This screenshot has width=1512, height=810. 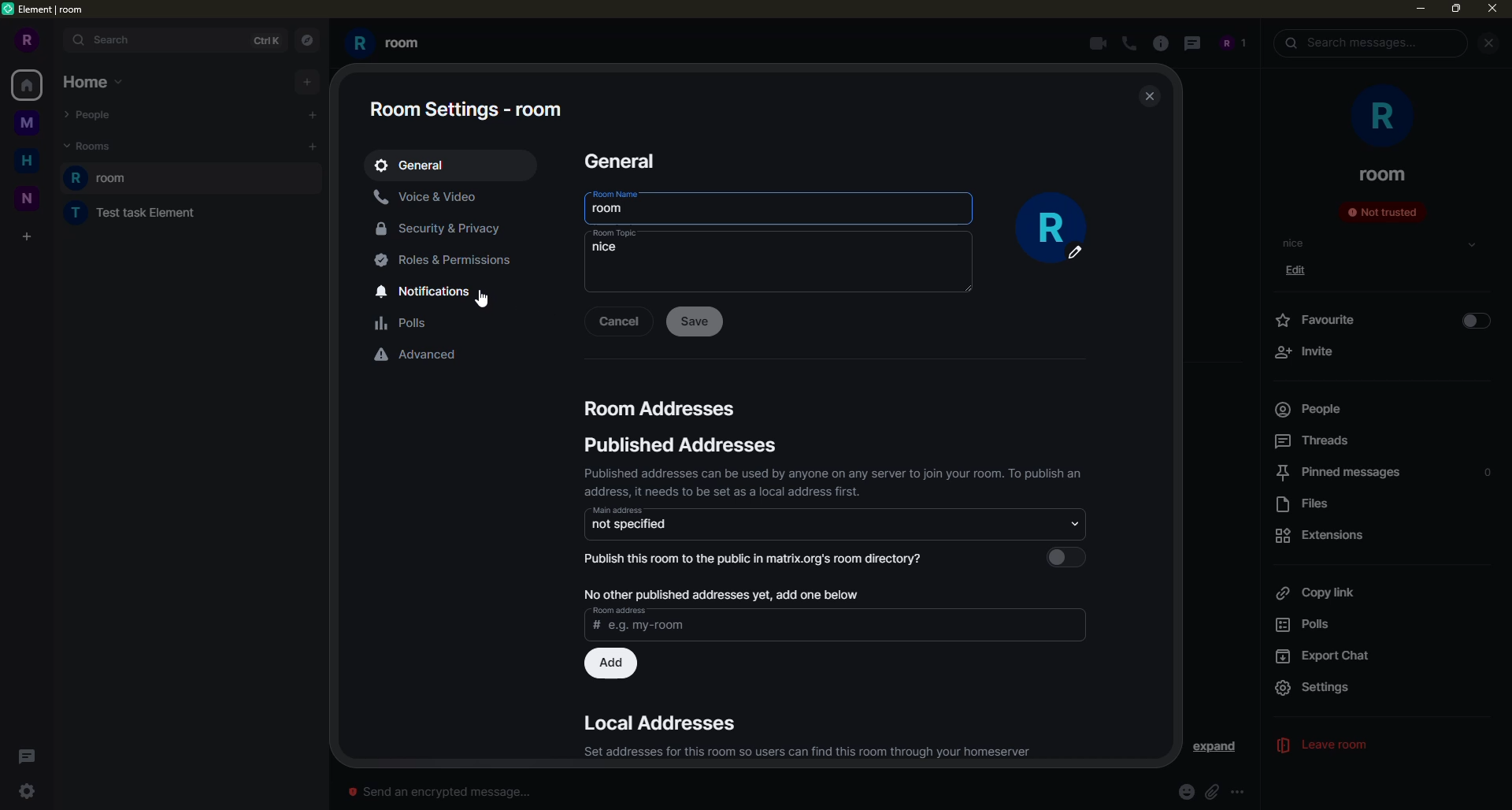 What do you see at coordinates (1335, 746) in the screenshot?
I see `leave room` at bounding box center [1335, 746].